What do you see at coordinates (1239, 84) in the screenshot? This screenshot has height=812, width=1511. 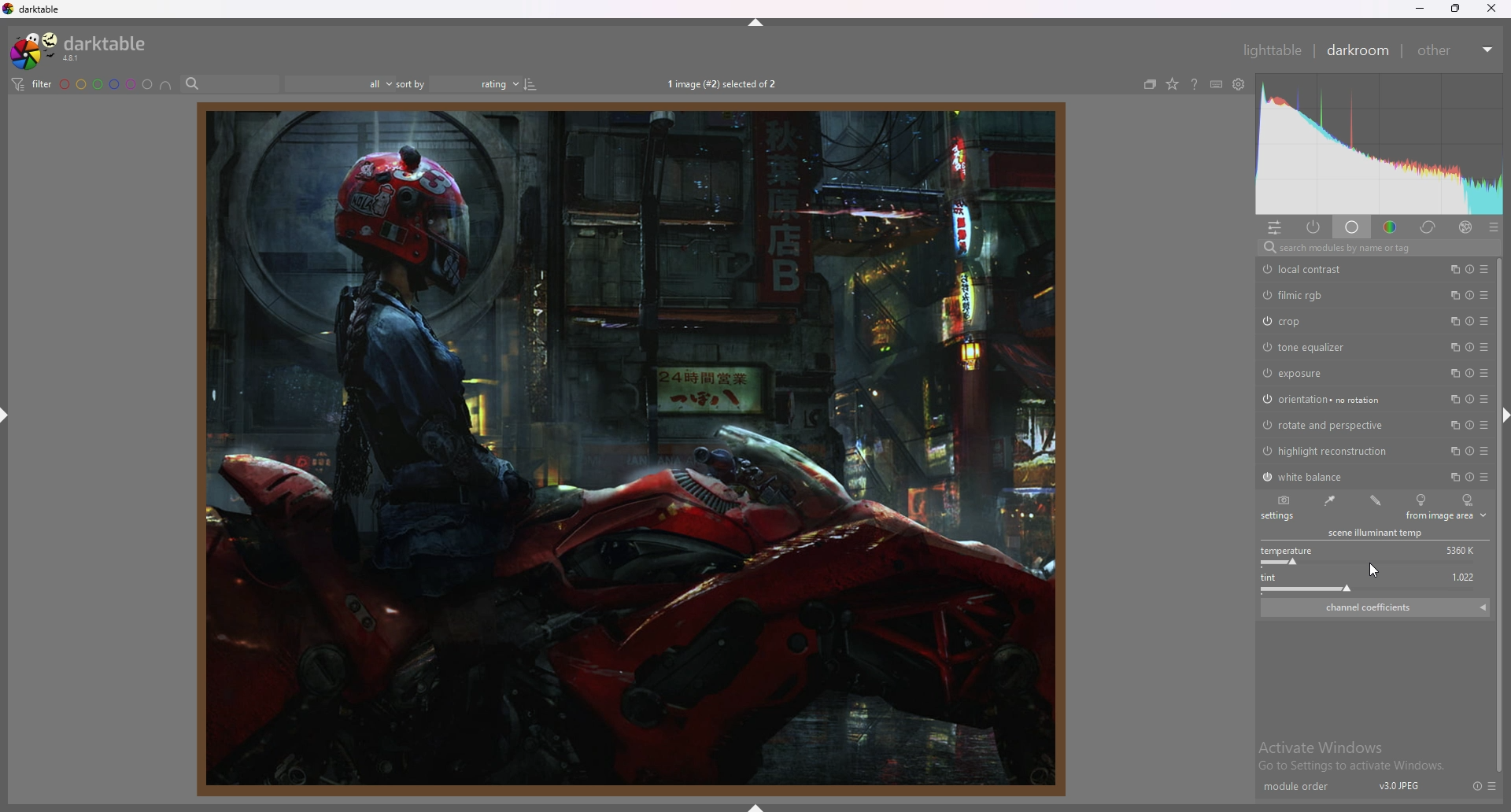 I see `show global preferences` at bounding box center [1239, 84].